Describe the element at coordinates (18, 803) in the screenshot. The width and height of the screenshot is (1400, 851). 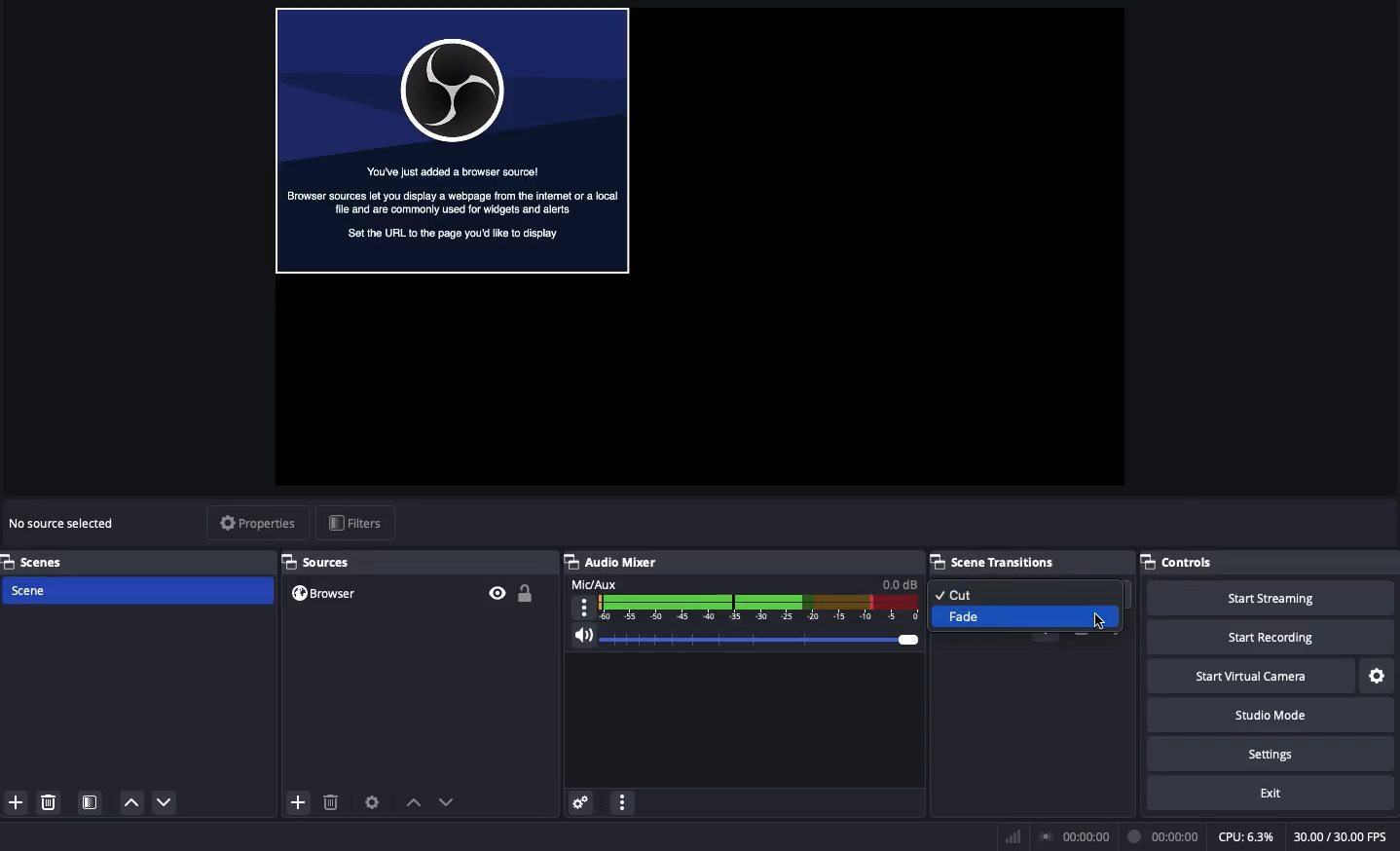
I see `Add` at that location.